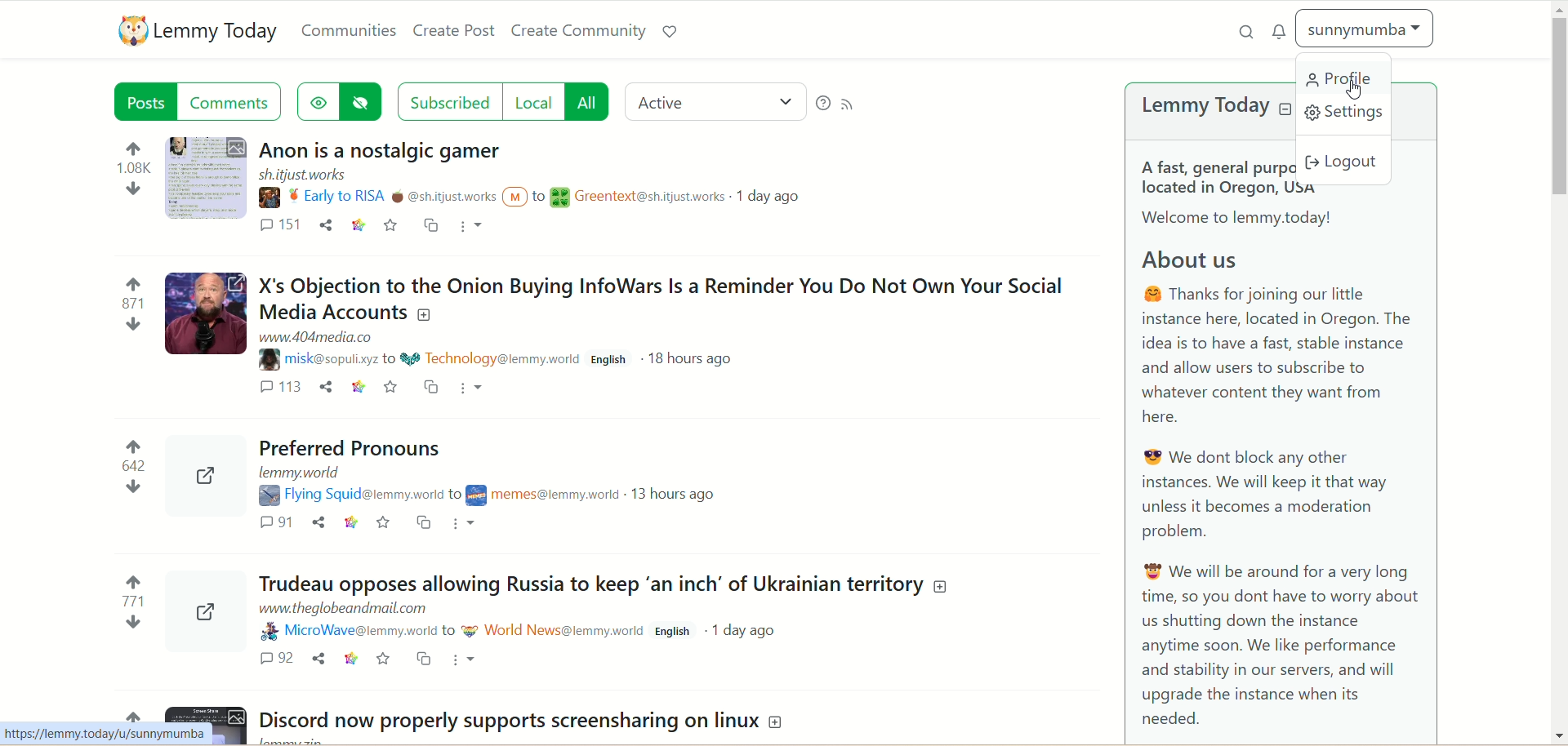  I want to click on URL, so click(314, 335).